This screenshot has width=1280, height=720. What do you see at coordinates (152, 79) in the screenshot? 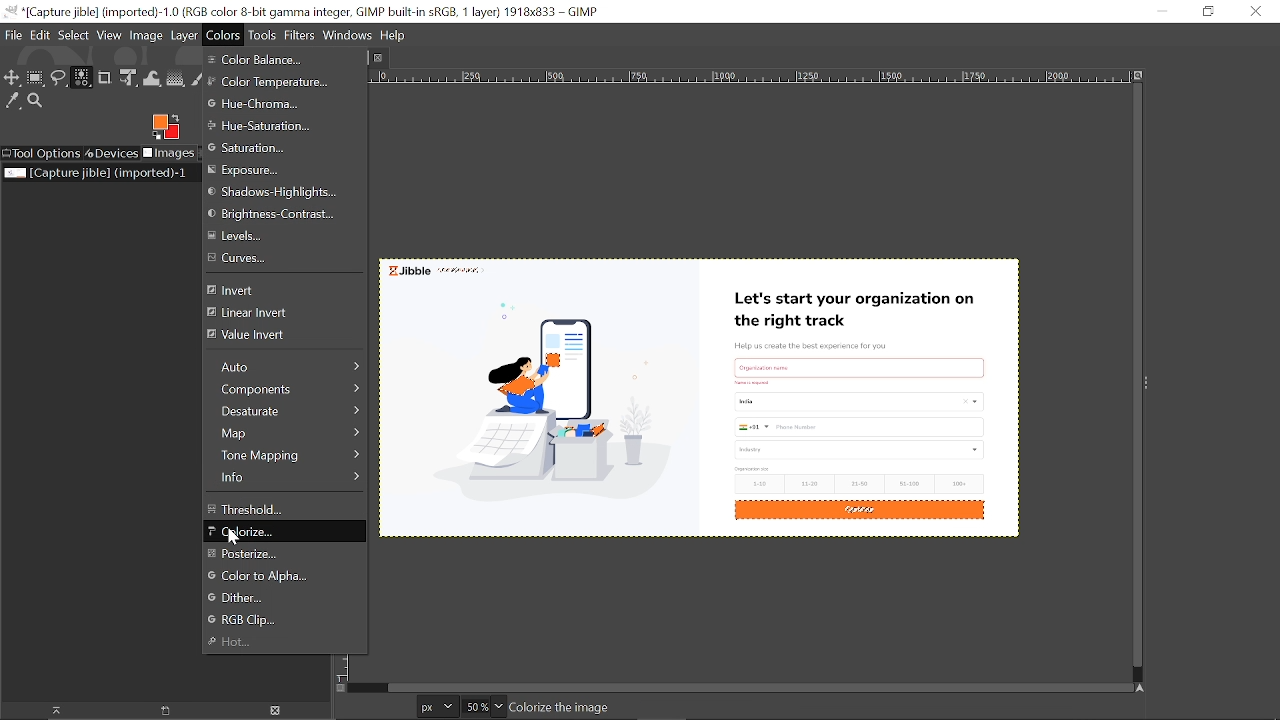
I see `Wrap text tool` at bounding box center [152, 79].